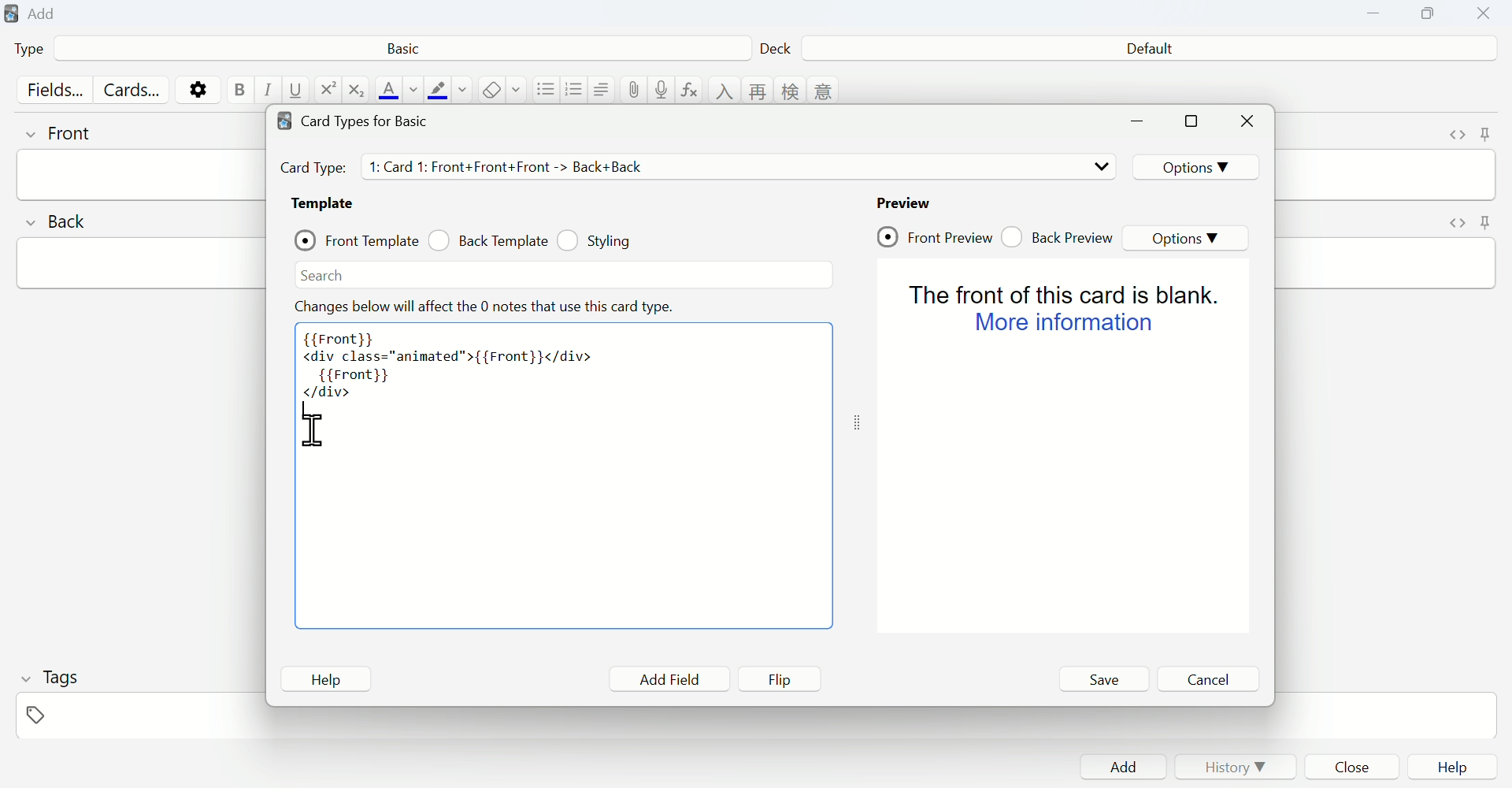 The width and height of the screenshot is (1512, 788). I want to click on toggle HTML editor, so click(1458, 222).